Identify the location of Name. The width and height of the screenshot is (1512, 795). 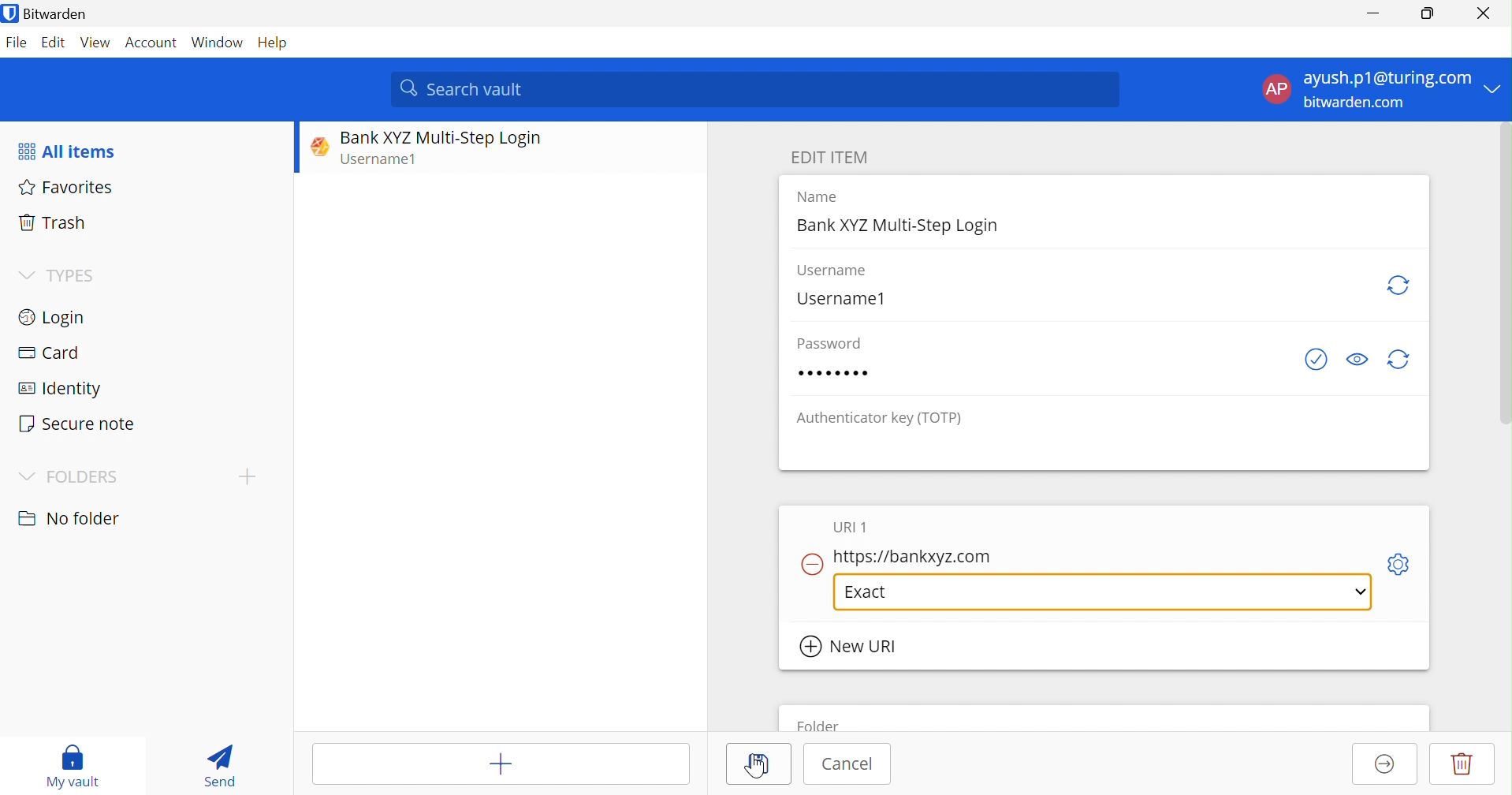
(821, 197).